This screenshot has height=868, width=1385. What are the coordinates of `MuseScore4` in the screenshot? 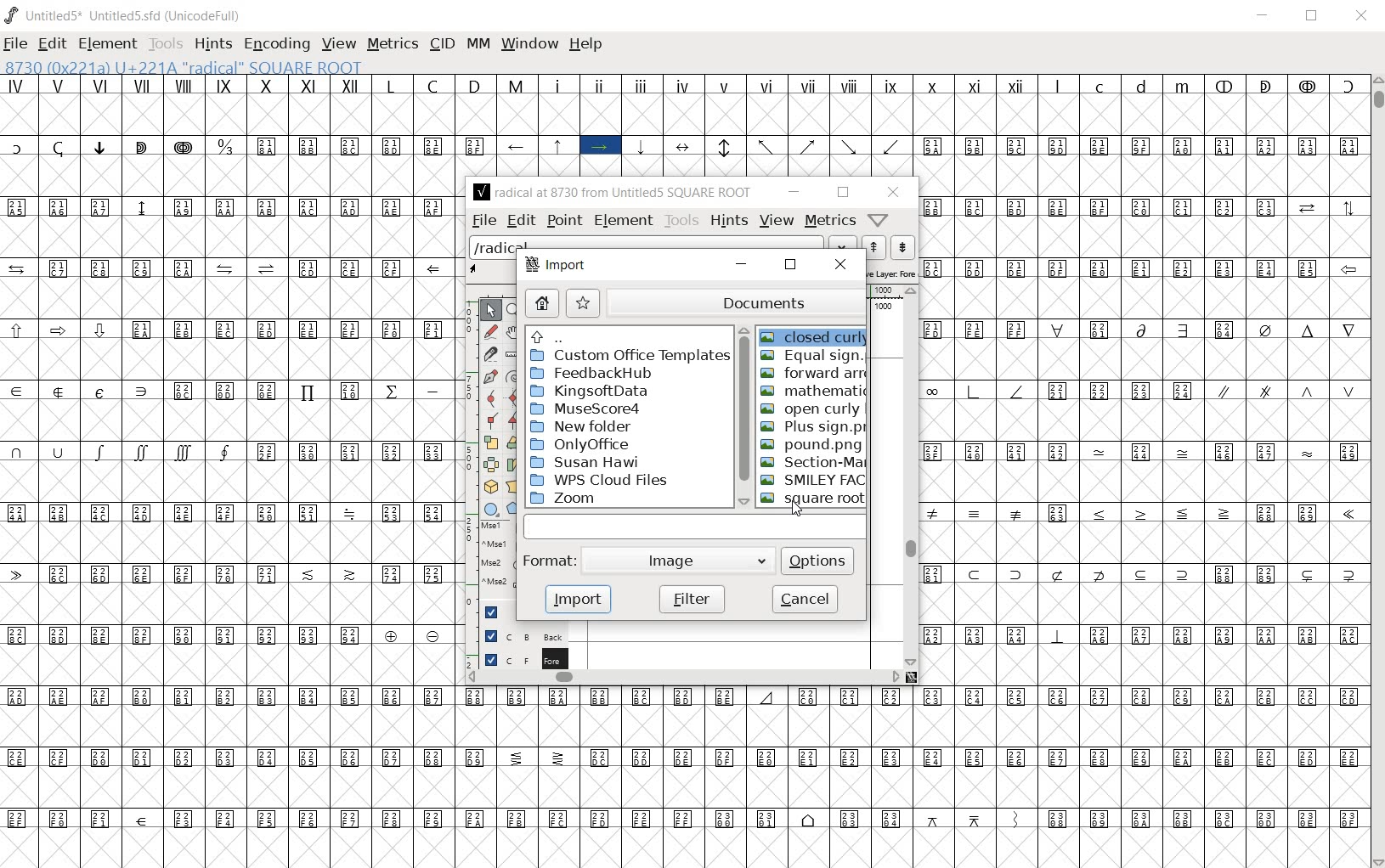 It's located at (585, 409).